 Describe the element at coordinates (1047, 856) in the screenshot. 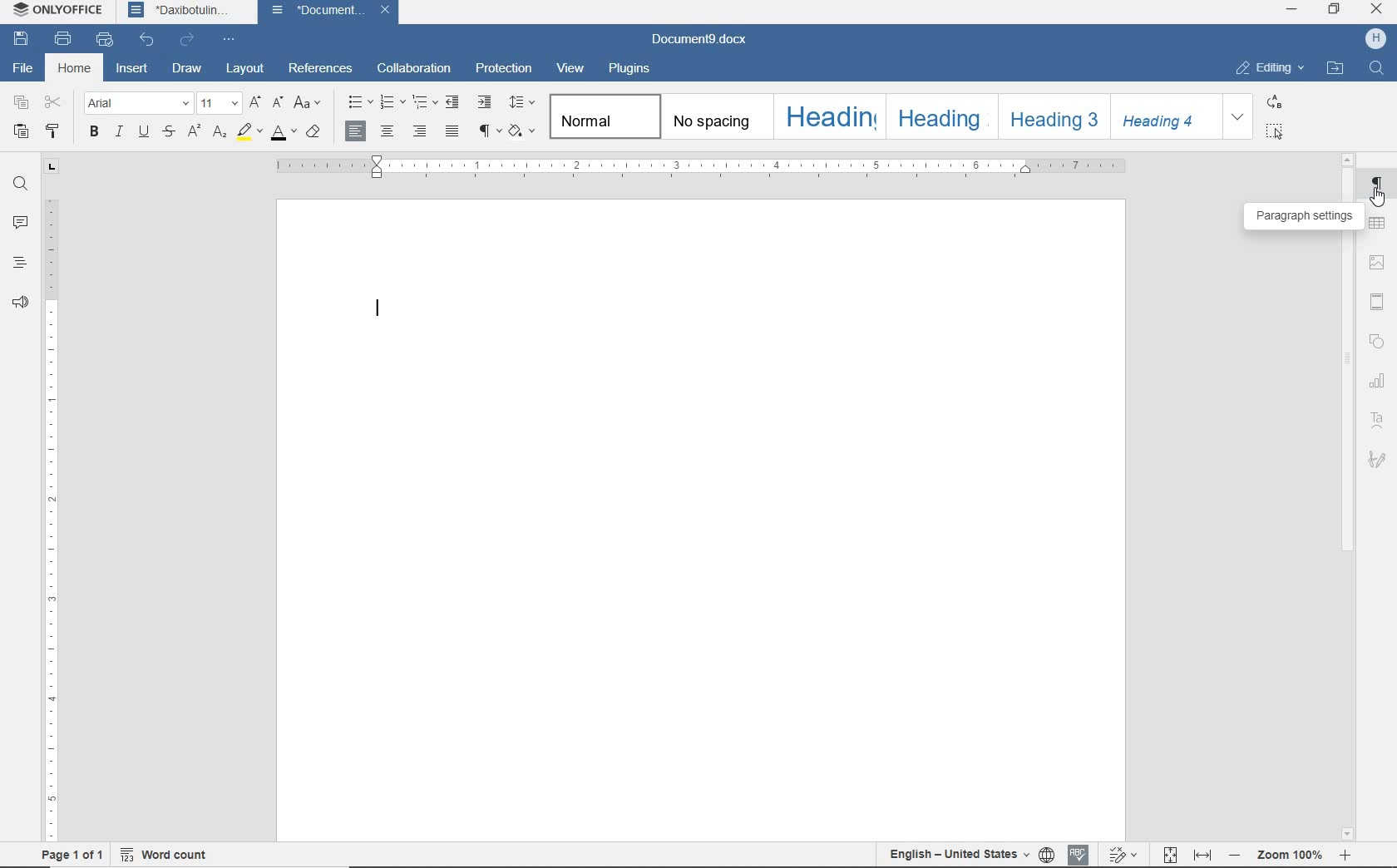

I see `set document language` at that location.